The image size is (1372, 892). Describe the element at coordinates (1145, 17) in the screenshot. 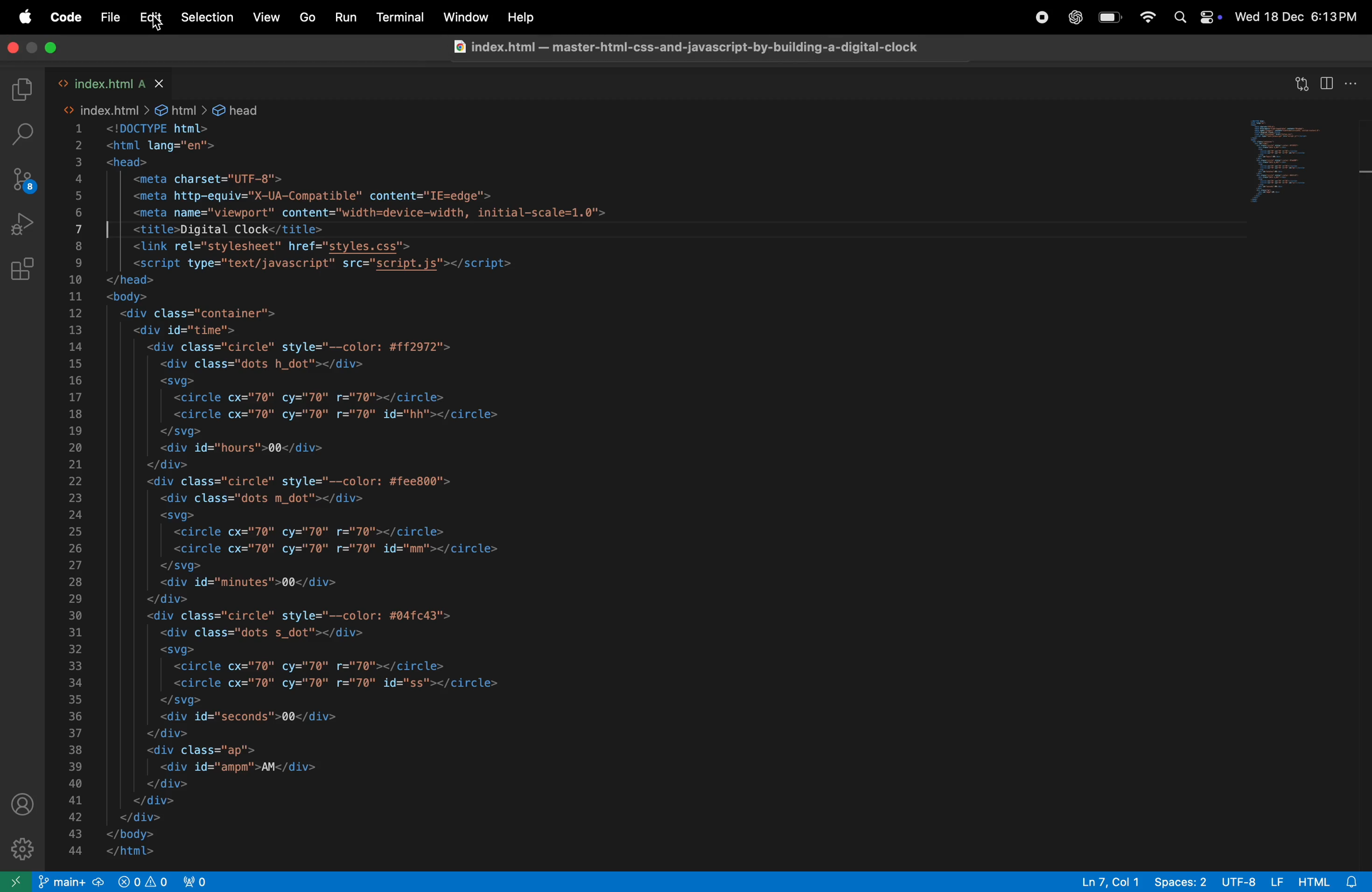

I see `wifi` at that location.